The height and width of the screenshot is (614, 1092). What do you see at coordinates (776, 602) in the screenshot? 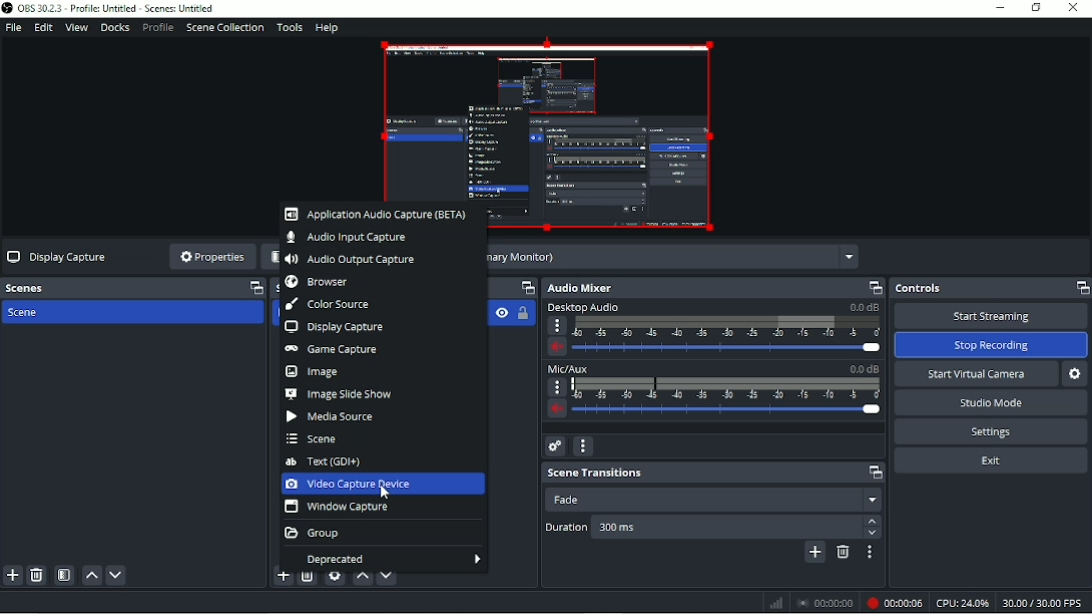
I see `Graph` at bounding box center [776, 602].